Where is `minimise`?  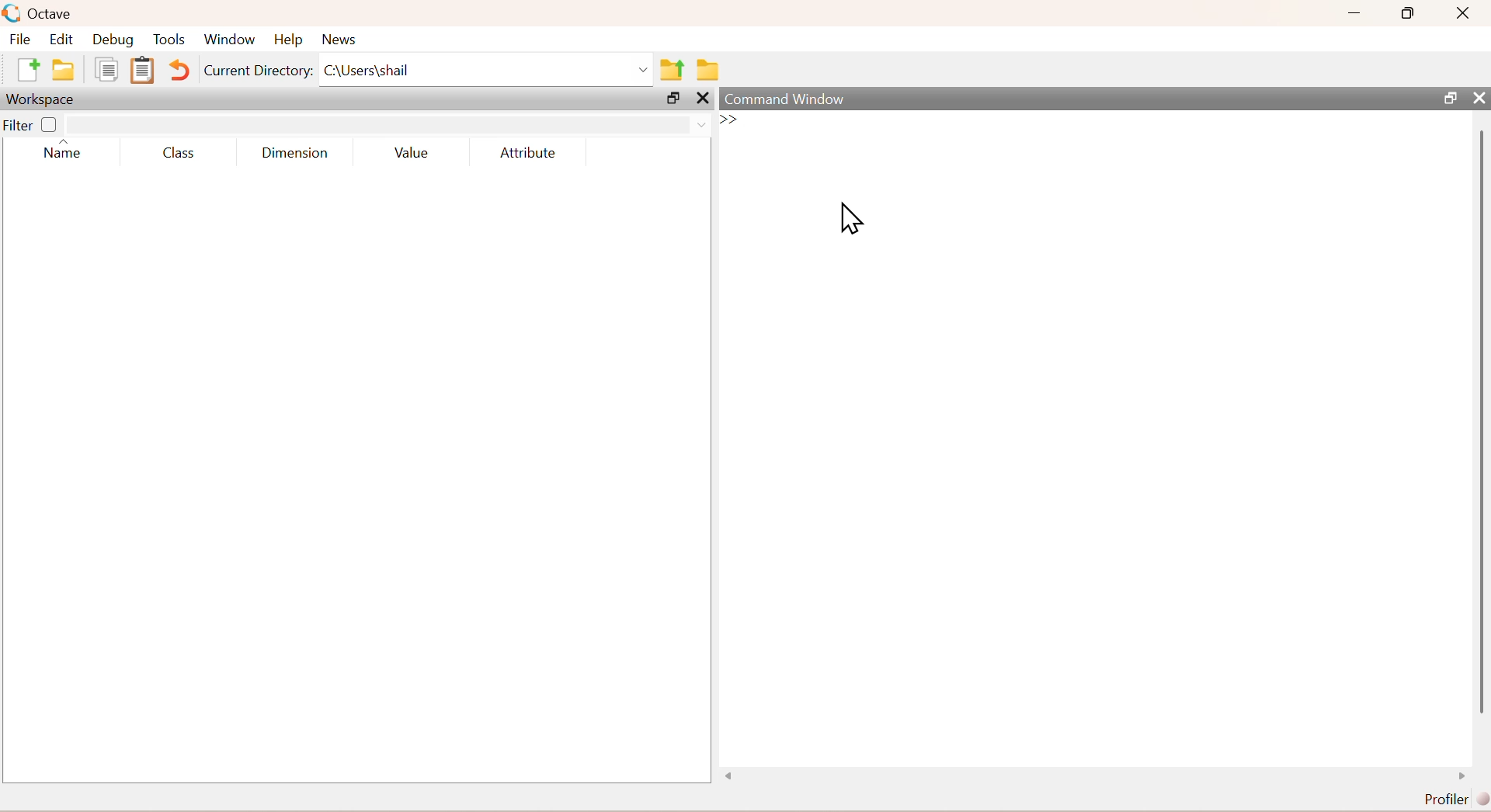 minimise is located at coordinates (1355, 11).